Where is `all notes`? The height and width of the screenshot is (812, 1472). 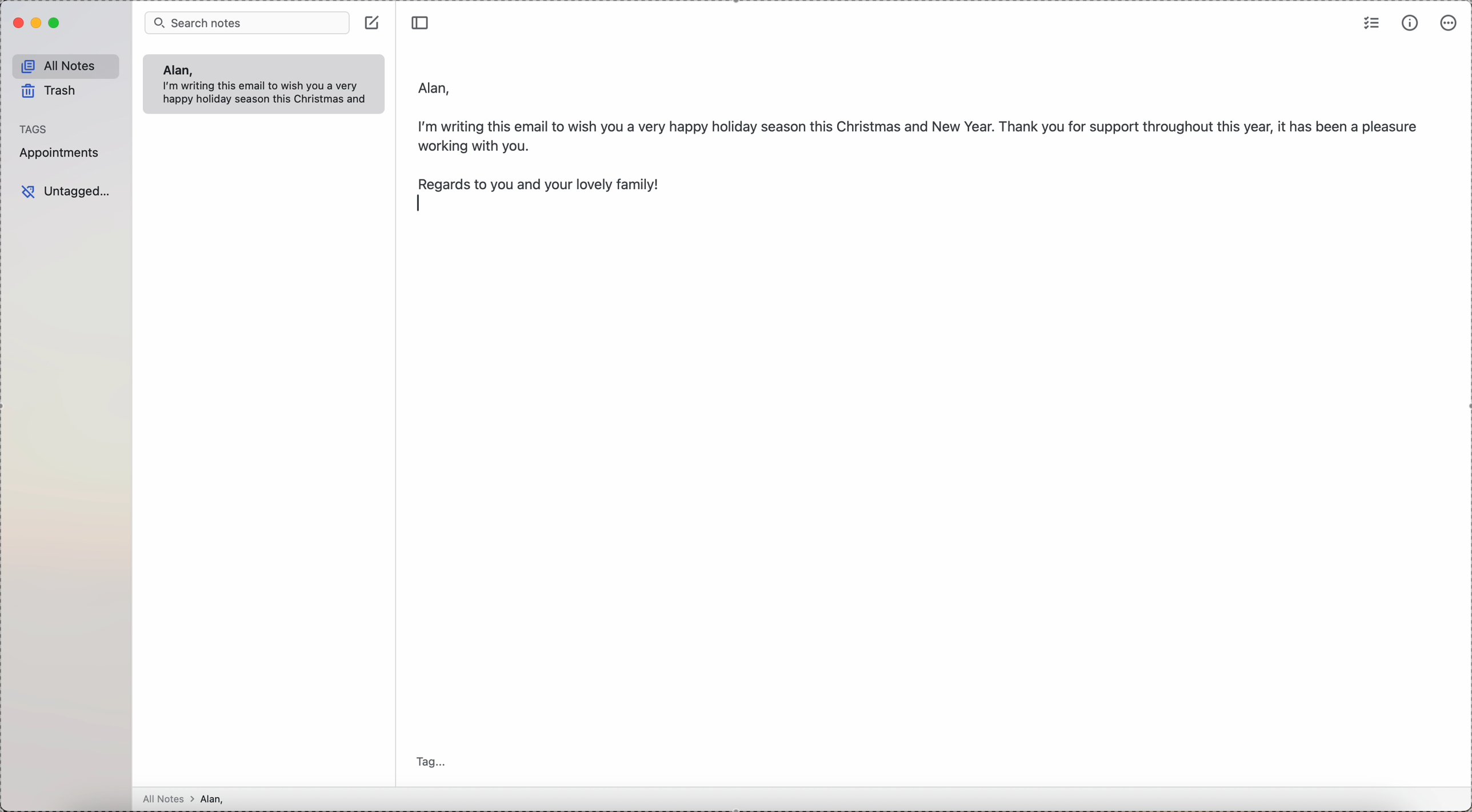
all notes is located at coordinates (66, 66).